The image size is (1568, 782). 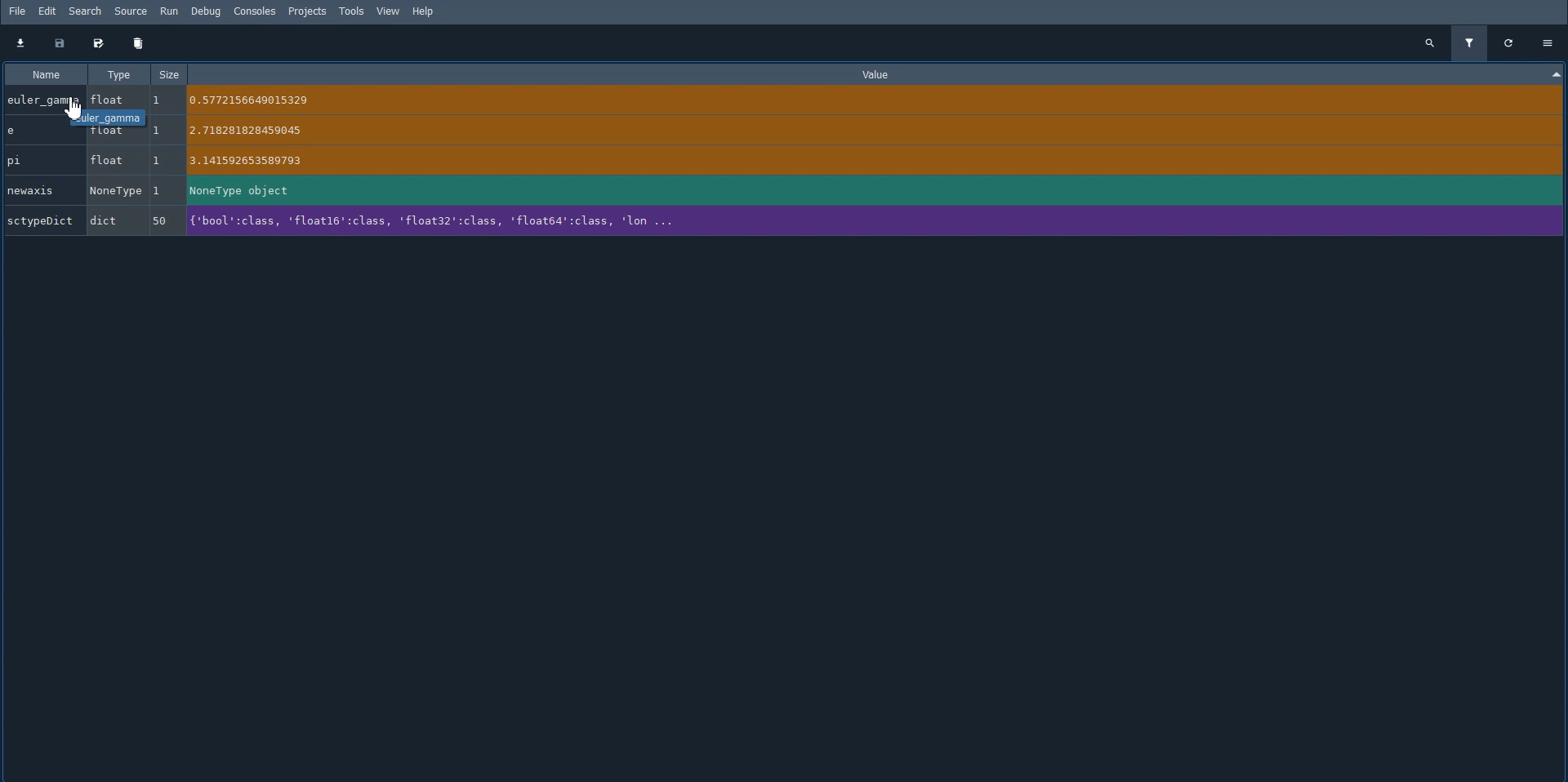 What do you see at coordinates (170, 11) in the screenshot?
I see `Run` at bounding box center [170, 11].